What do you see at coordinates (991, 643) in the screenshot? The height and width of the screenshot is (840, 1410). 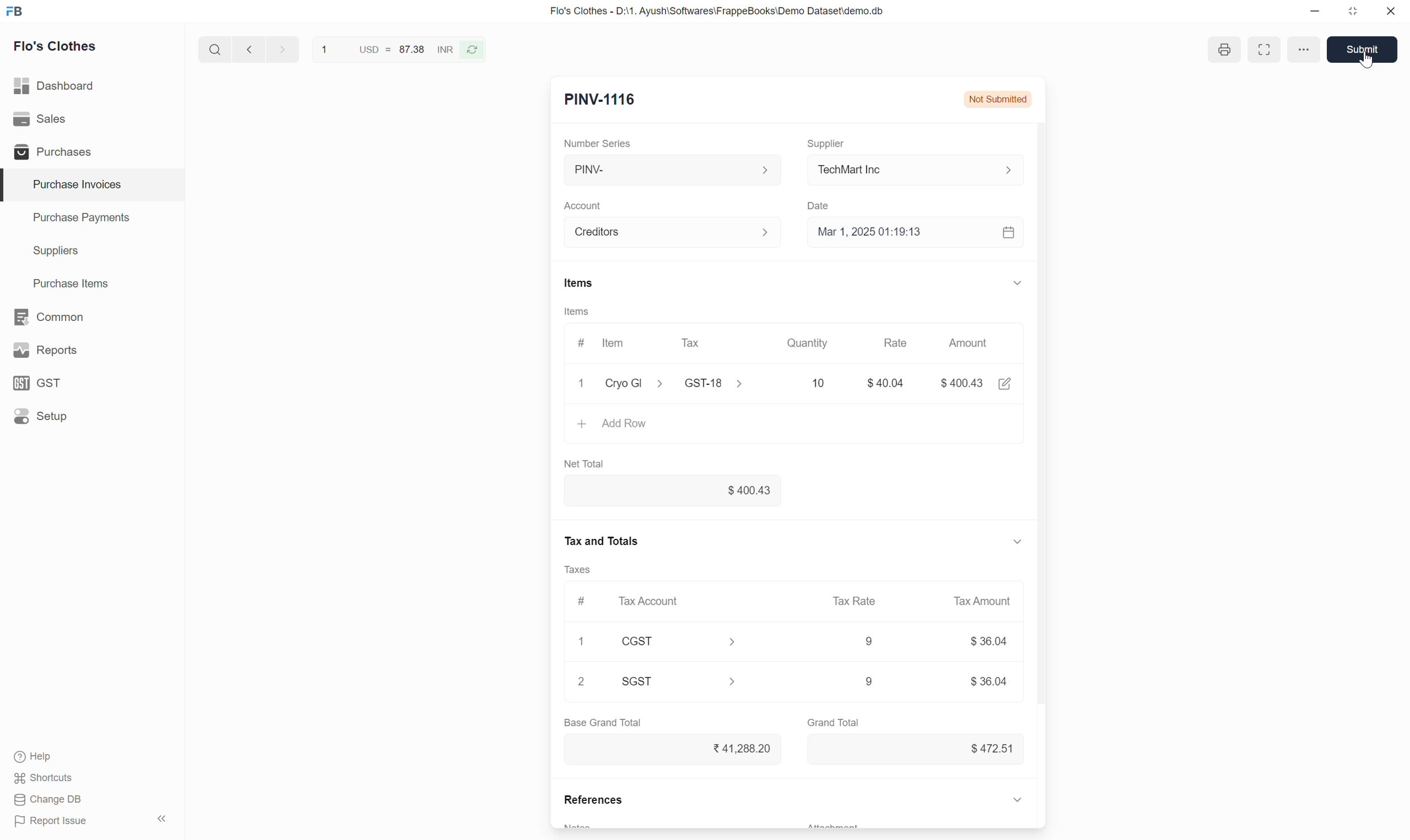 I see `$3.60` at bounding box center [991, 643].